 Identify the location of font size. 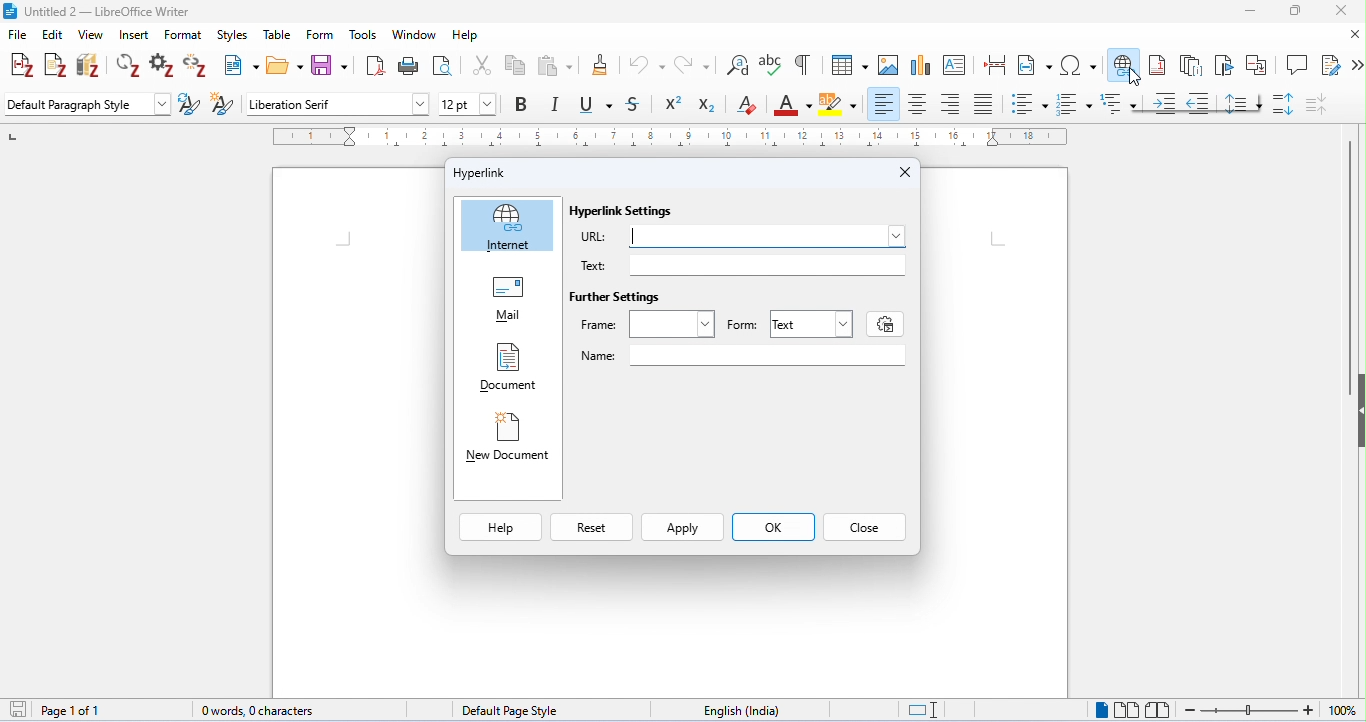
(472, 105).